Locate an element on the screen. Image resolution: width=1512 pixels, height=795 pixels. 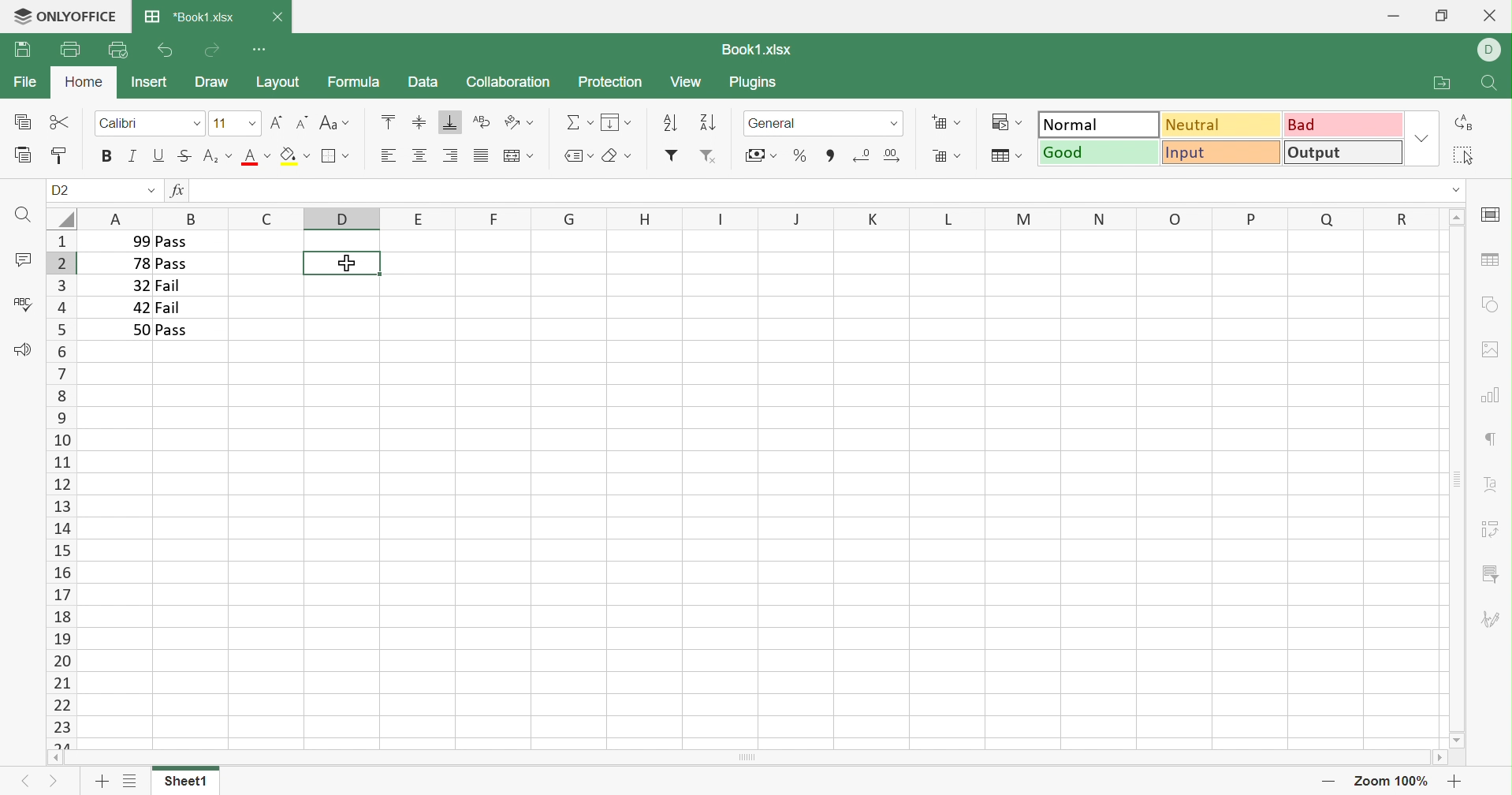
Fil color is located at coordinates (295, 155).